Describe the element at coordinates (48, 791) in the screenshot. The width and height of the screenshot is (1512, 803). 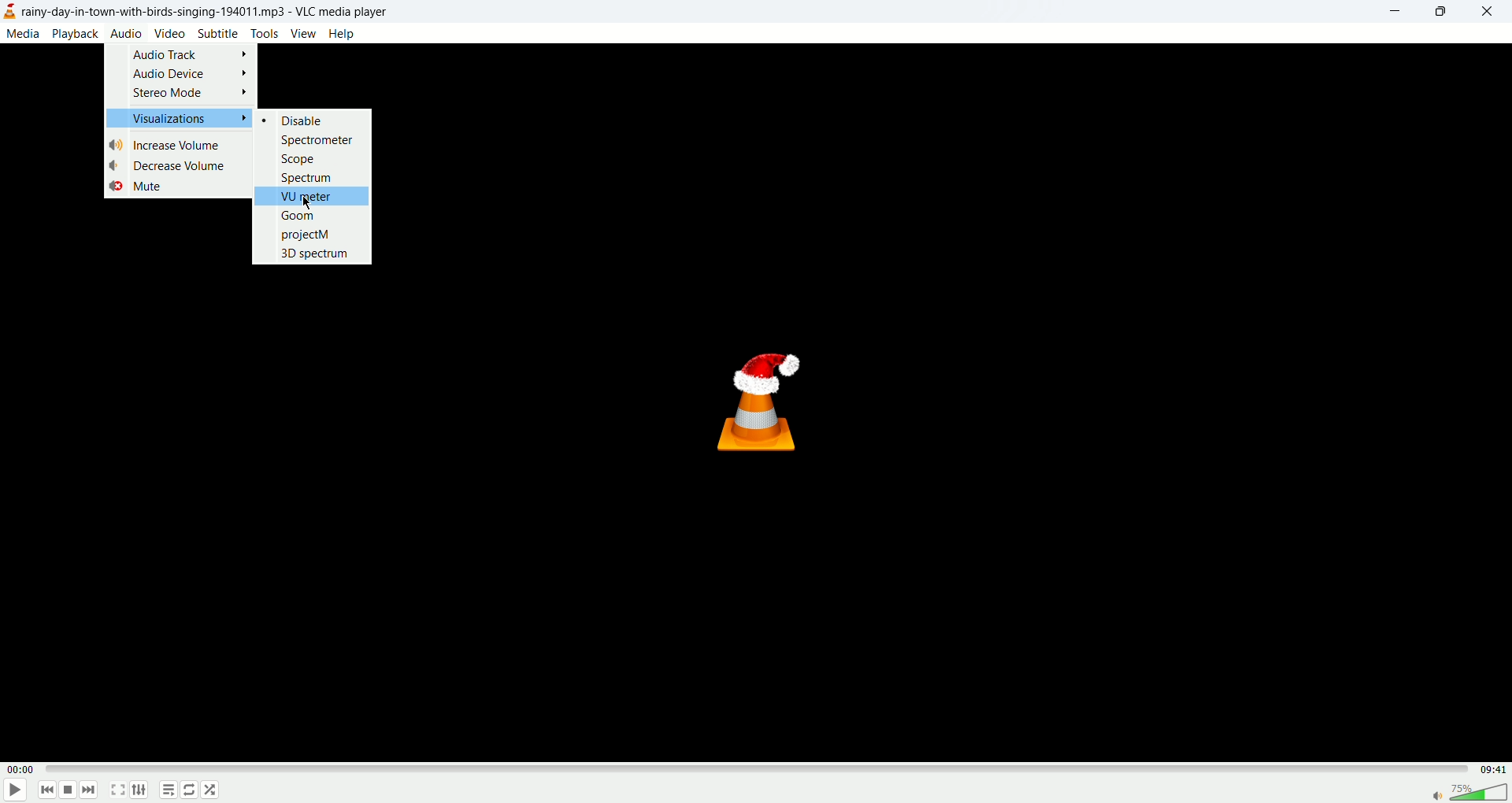
I see `previous` at that location.